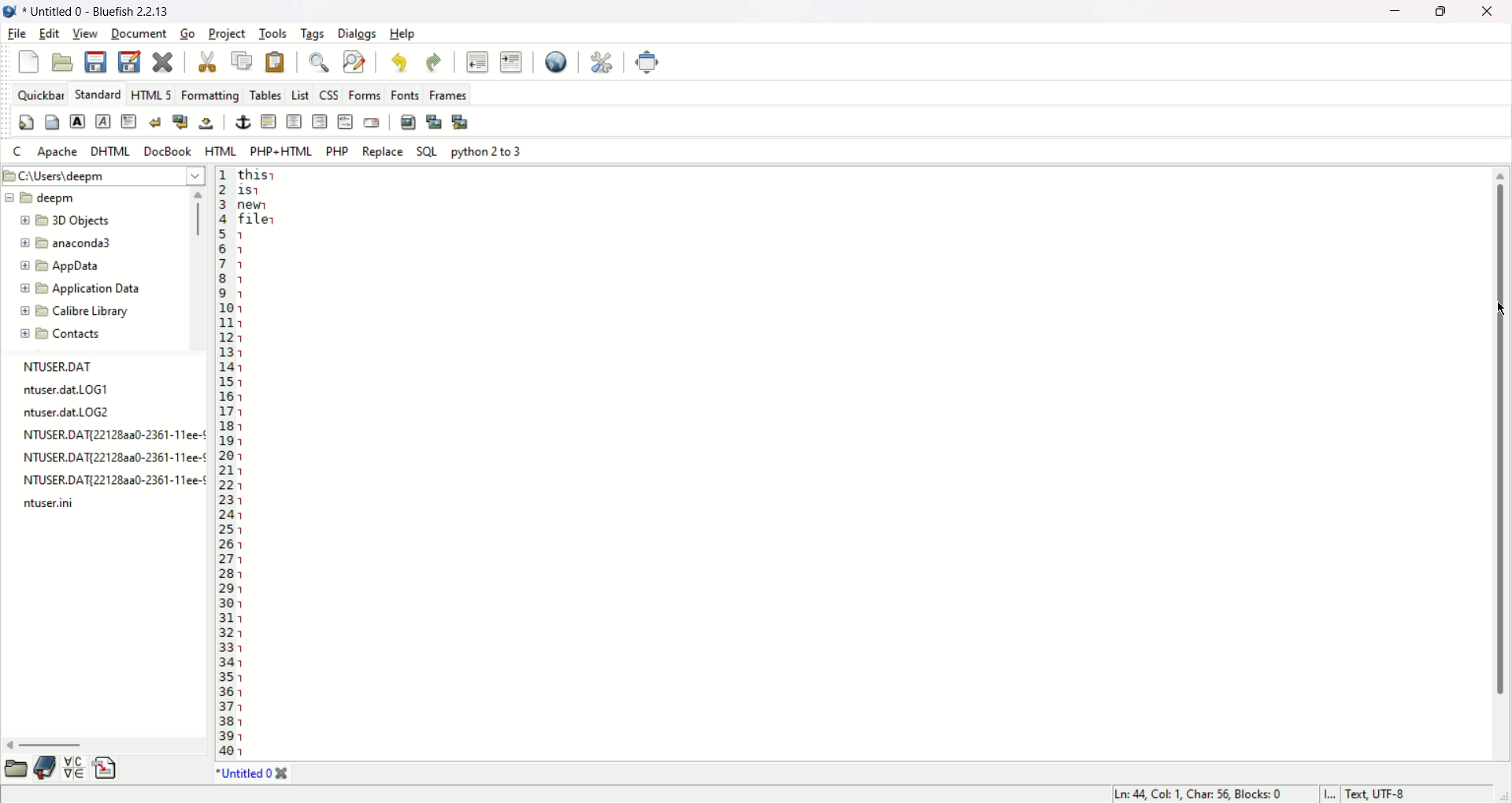  What do you see at coordinates (344, 121) in the screenshot?
I see `HTML comment` at bounding box center [344, 121].